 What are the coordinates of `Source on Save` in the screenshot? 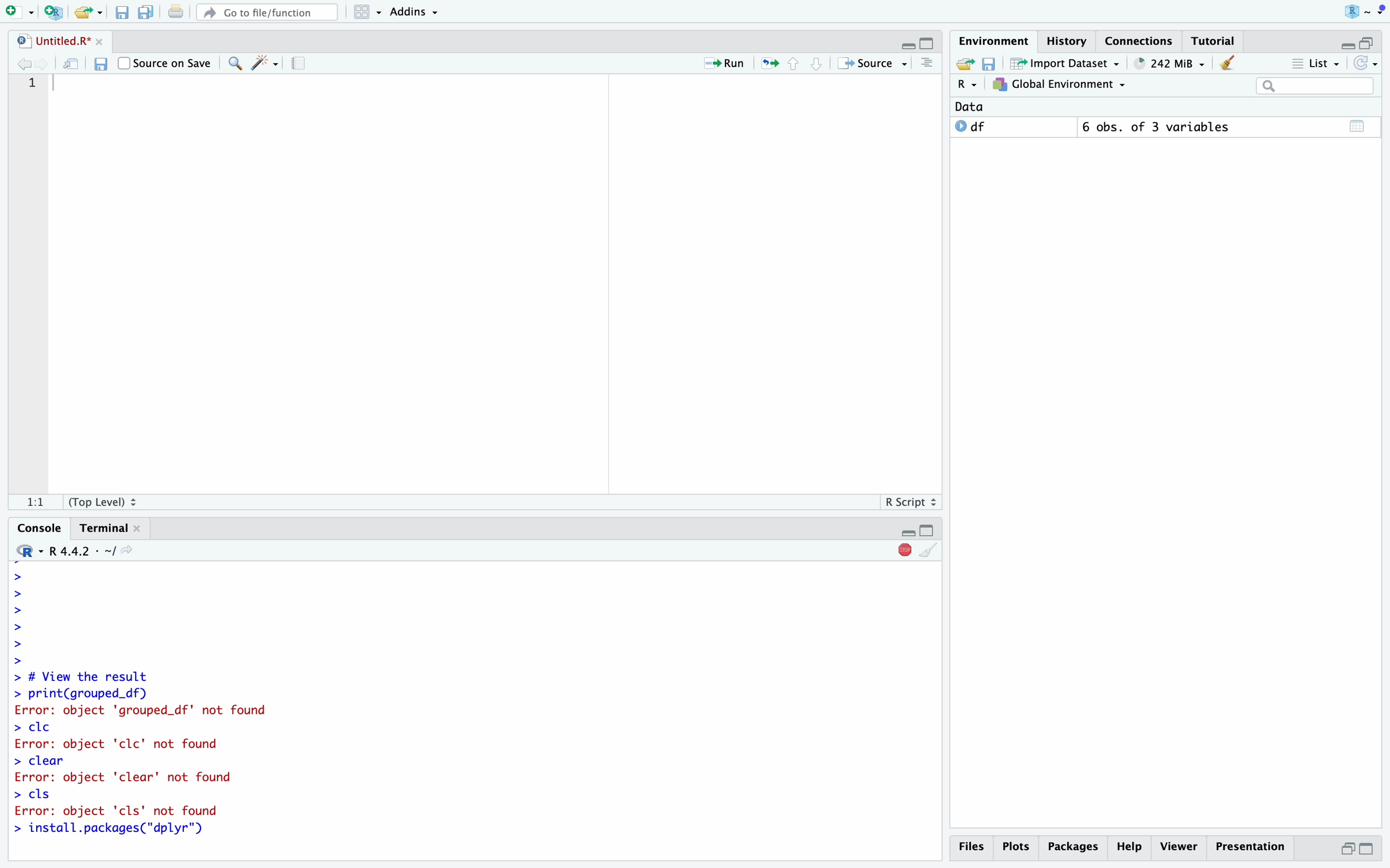 It's located at (163, 62).